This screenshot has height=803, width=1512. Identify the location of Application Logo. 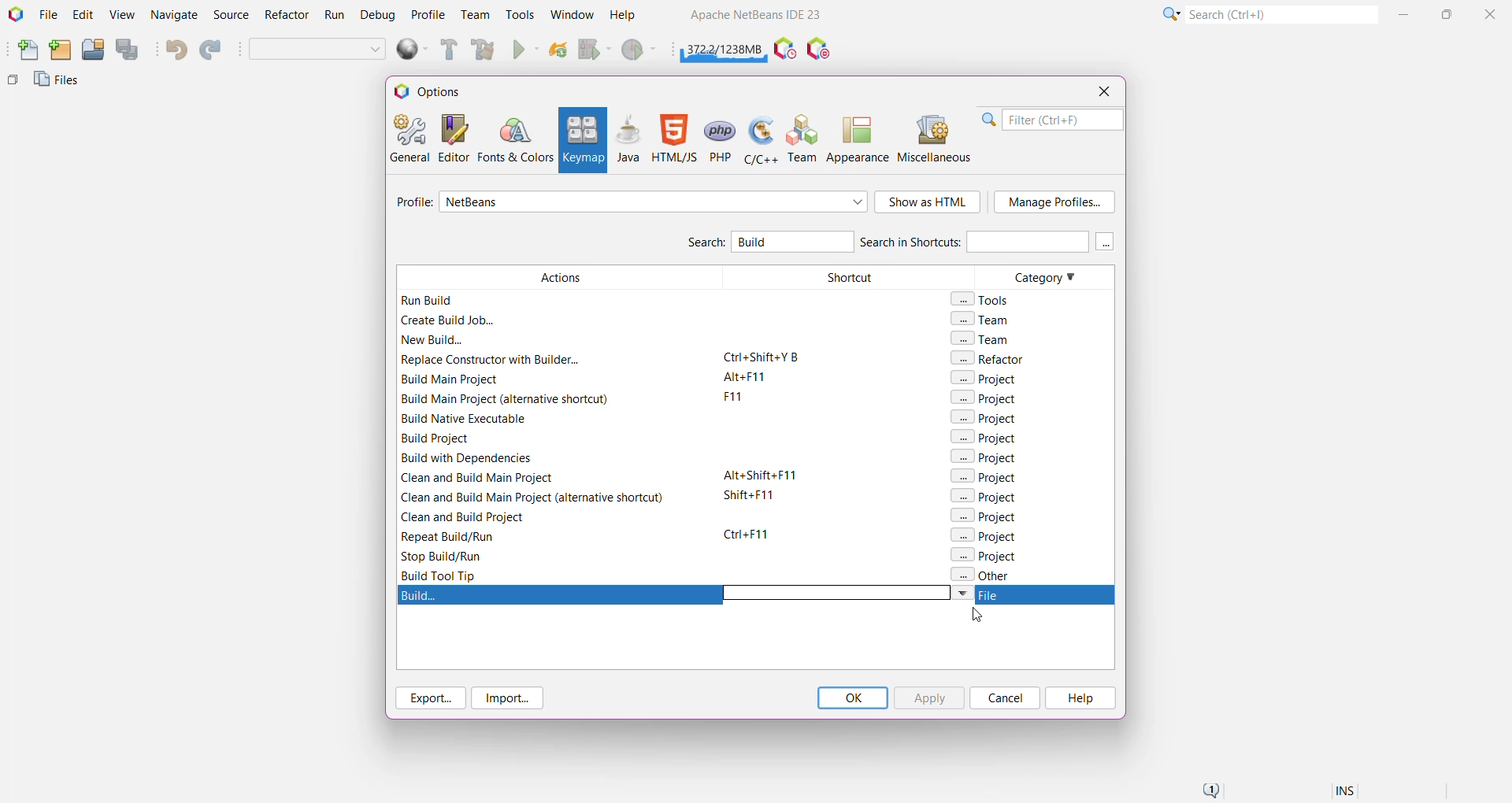
(14, 15).